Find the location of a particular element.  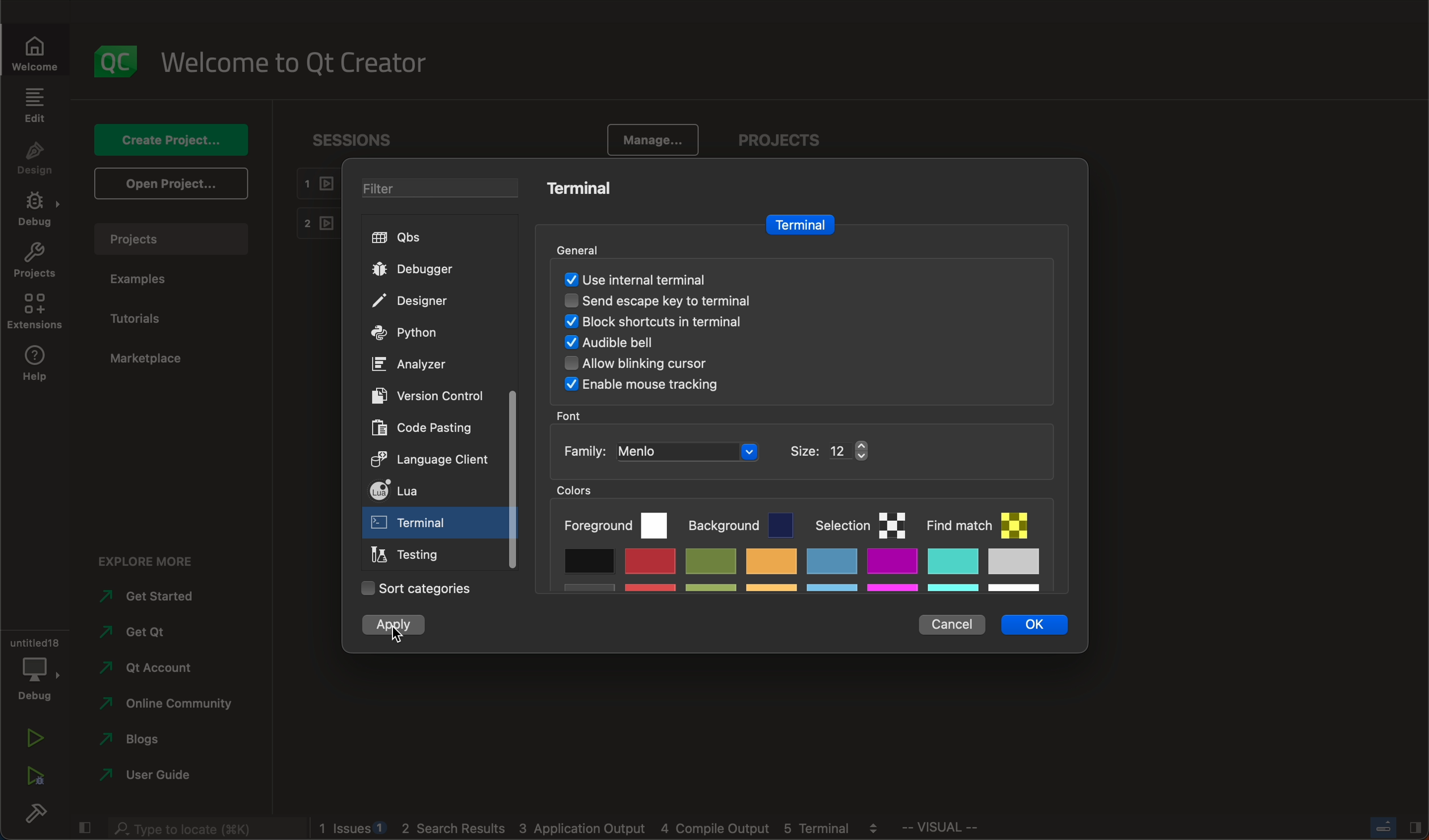

python is located at coordinates (412, 334).